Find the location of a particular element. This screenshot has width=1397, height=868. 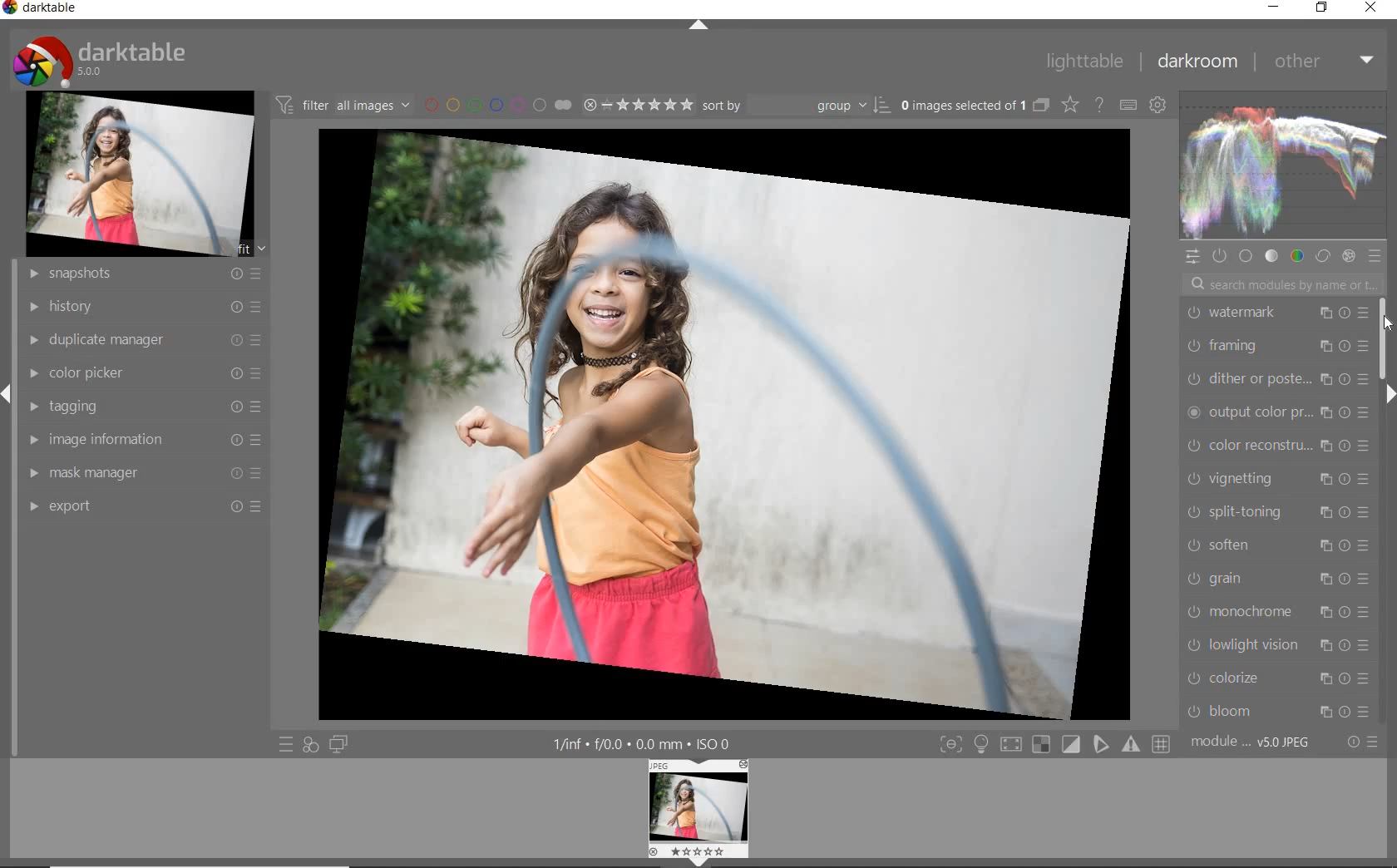

tagging is located at coordinates (144, 406).